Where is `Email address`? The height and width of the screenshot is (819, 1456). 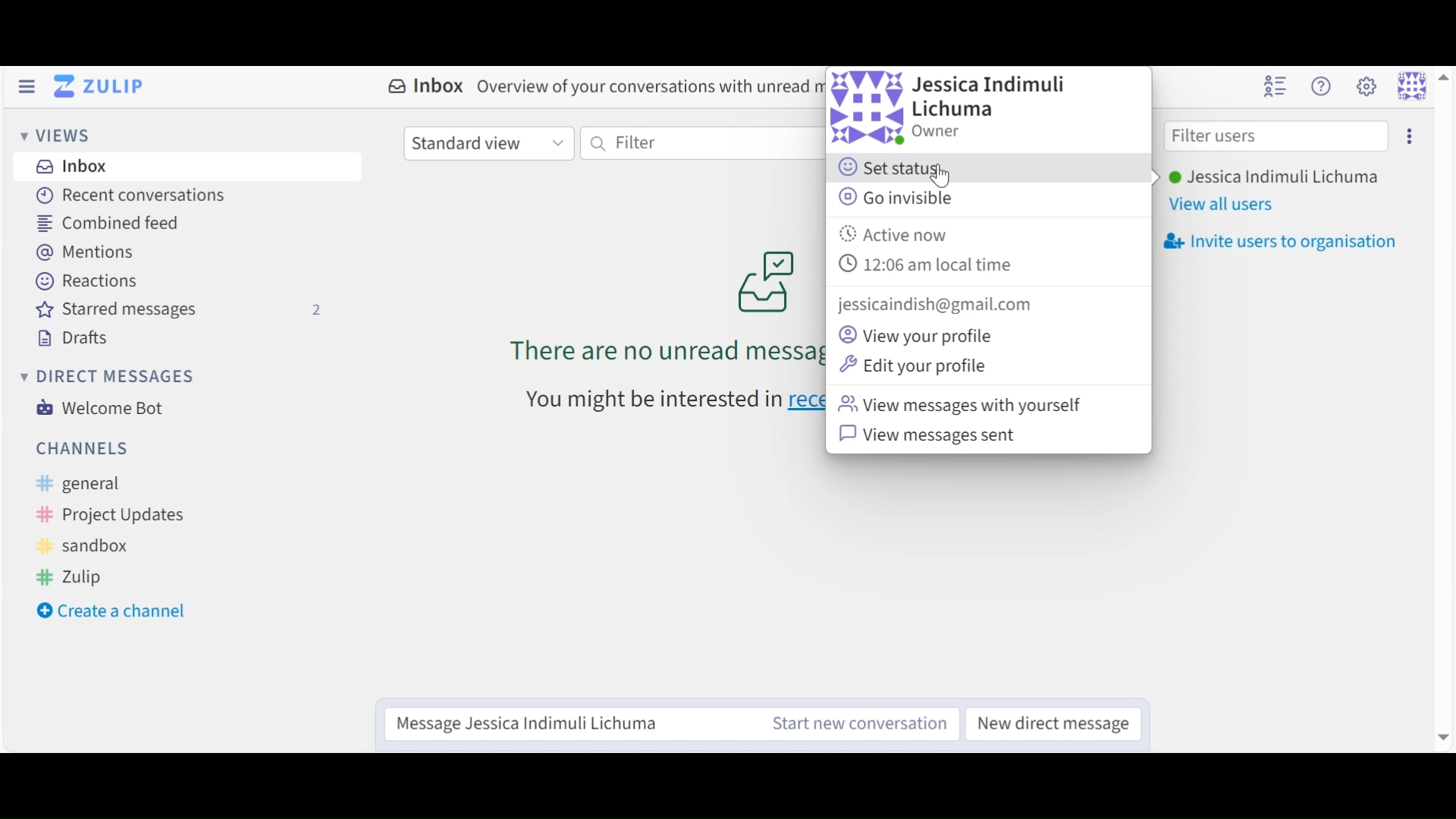 Email address is located at coordinates (940, 305).